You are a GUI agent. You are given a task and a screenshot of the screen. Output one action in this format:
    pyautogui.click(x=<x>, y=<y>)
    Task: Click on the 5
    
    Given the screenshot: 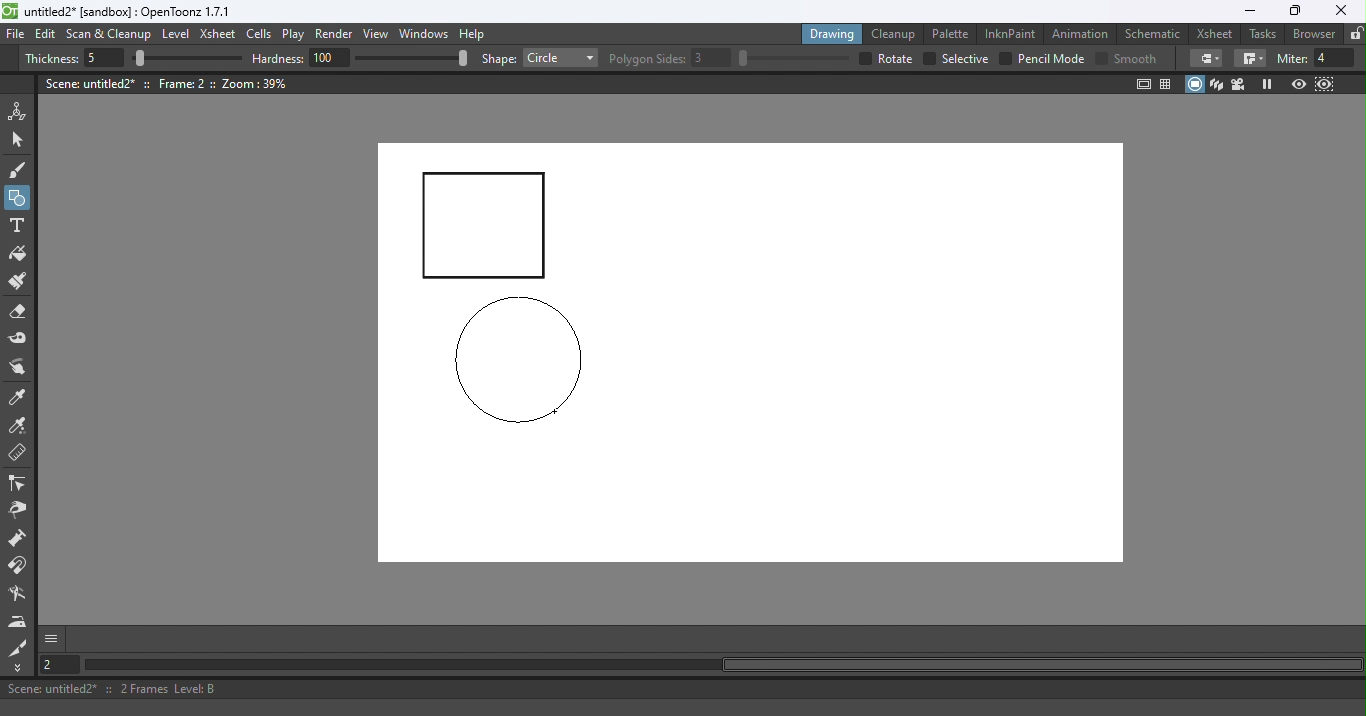 What is the action you would take?
    pyautogui.click(x=101, y=59)
    